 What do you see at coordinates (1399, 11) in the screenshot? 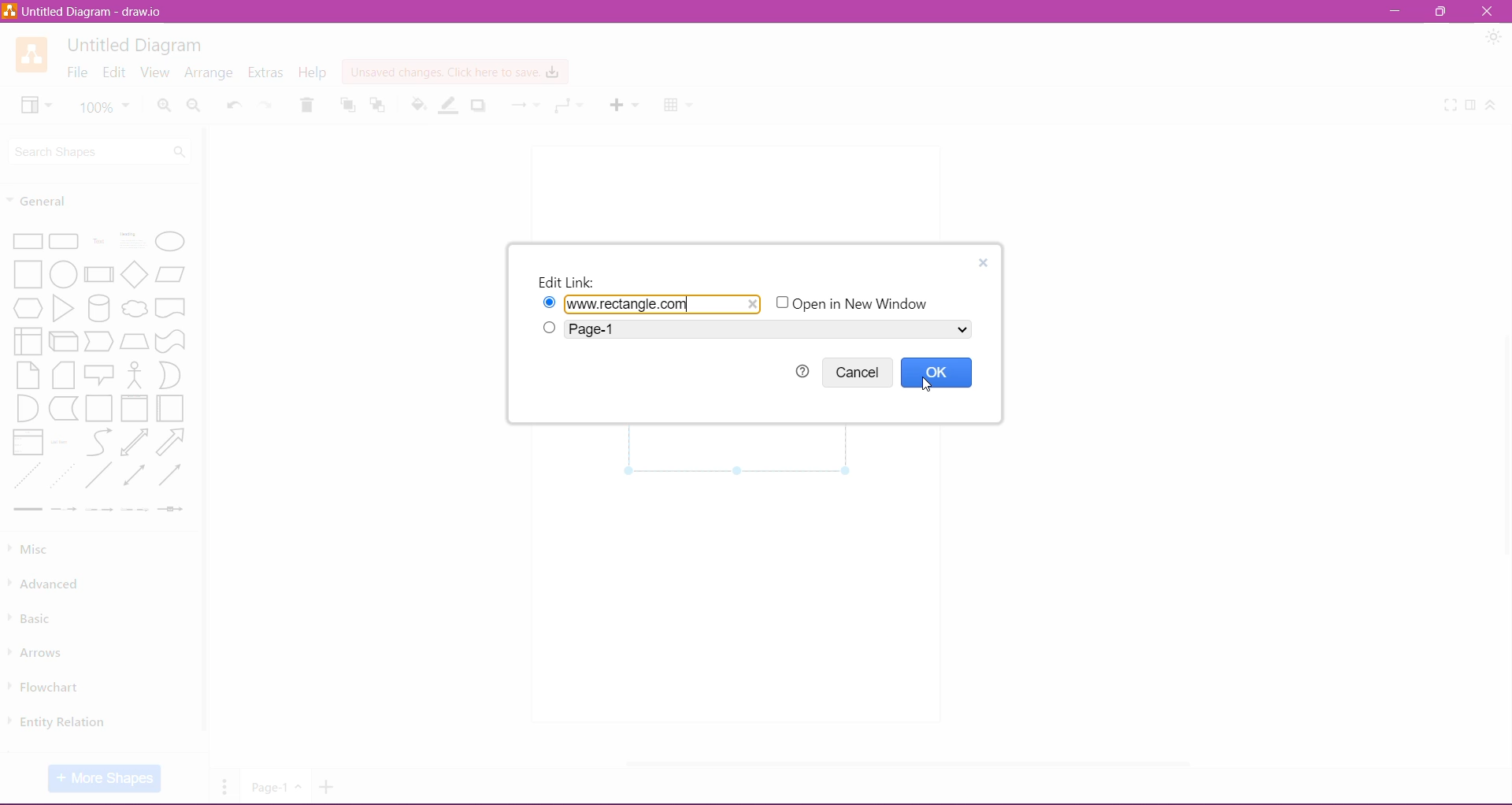
I see `Minimize` at bounding box center [1399, 11].